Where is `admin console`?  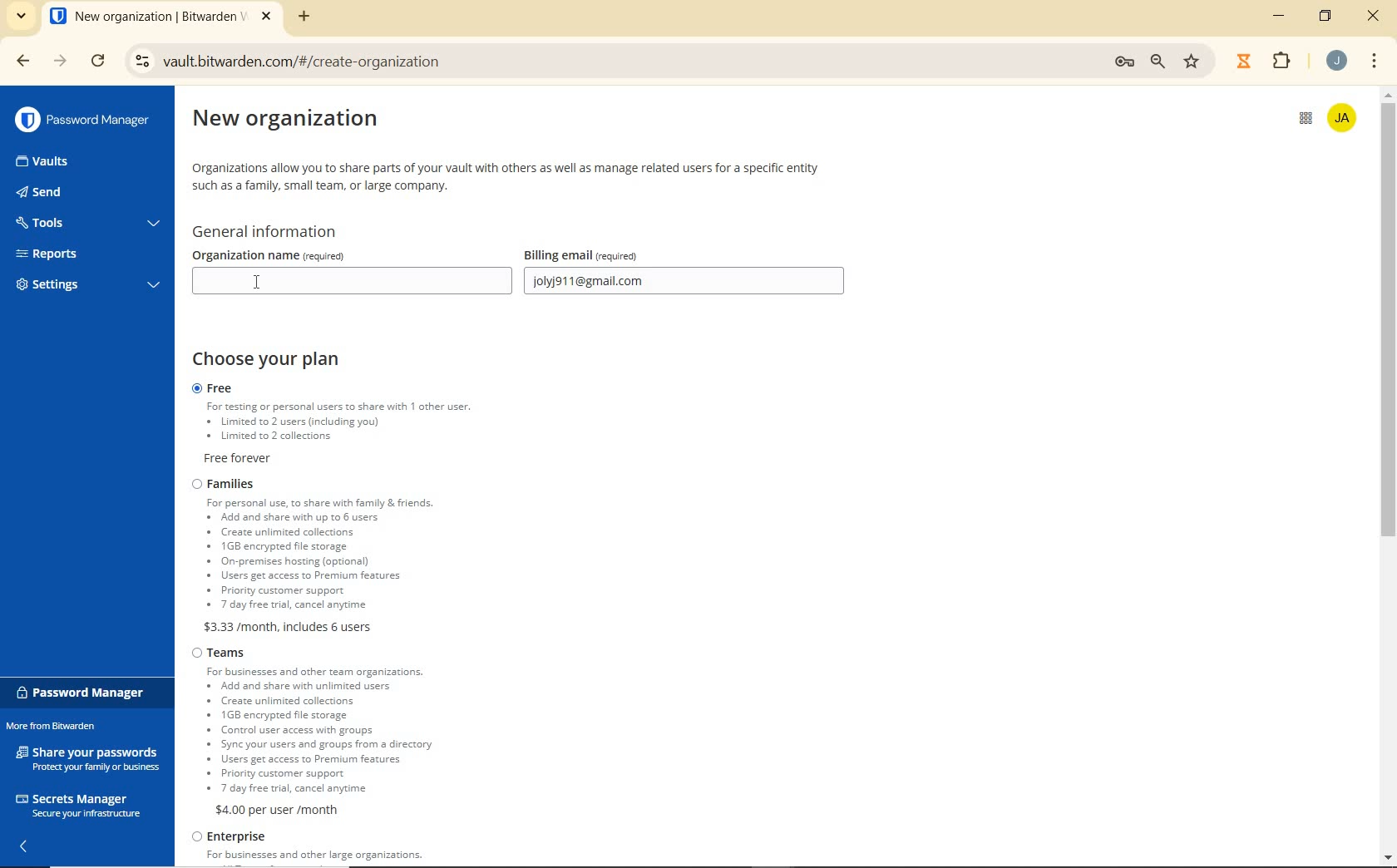
admin console is located at coordinates (1299, 125).